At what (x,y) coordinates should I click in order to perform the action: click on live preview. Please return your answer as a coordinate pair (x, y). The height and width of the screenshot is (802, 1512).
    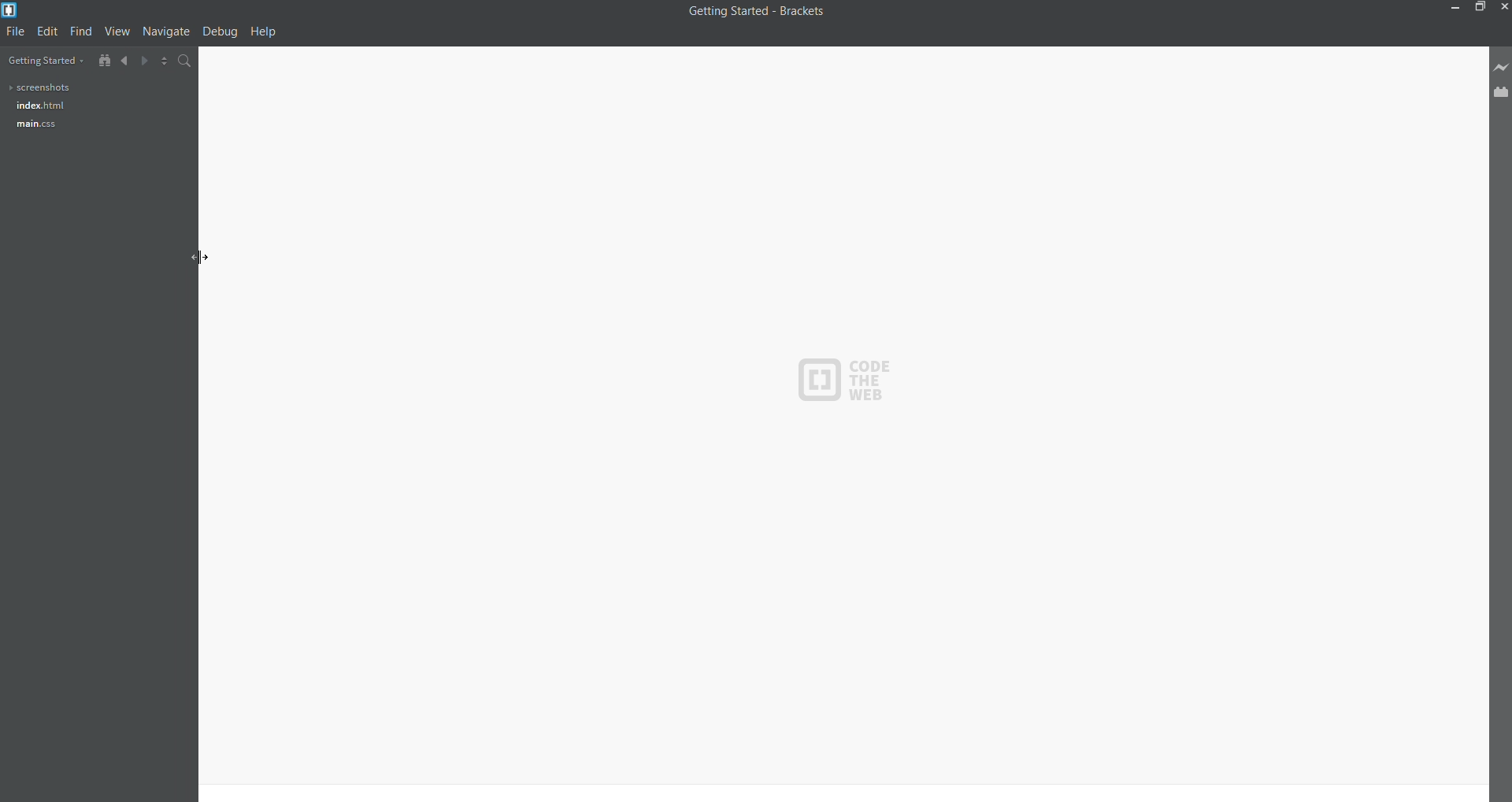
    Looking at the image, I should click on (1499, 67).